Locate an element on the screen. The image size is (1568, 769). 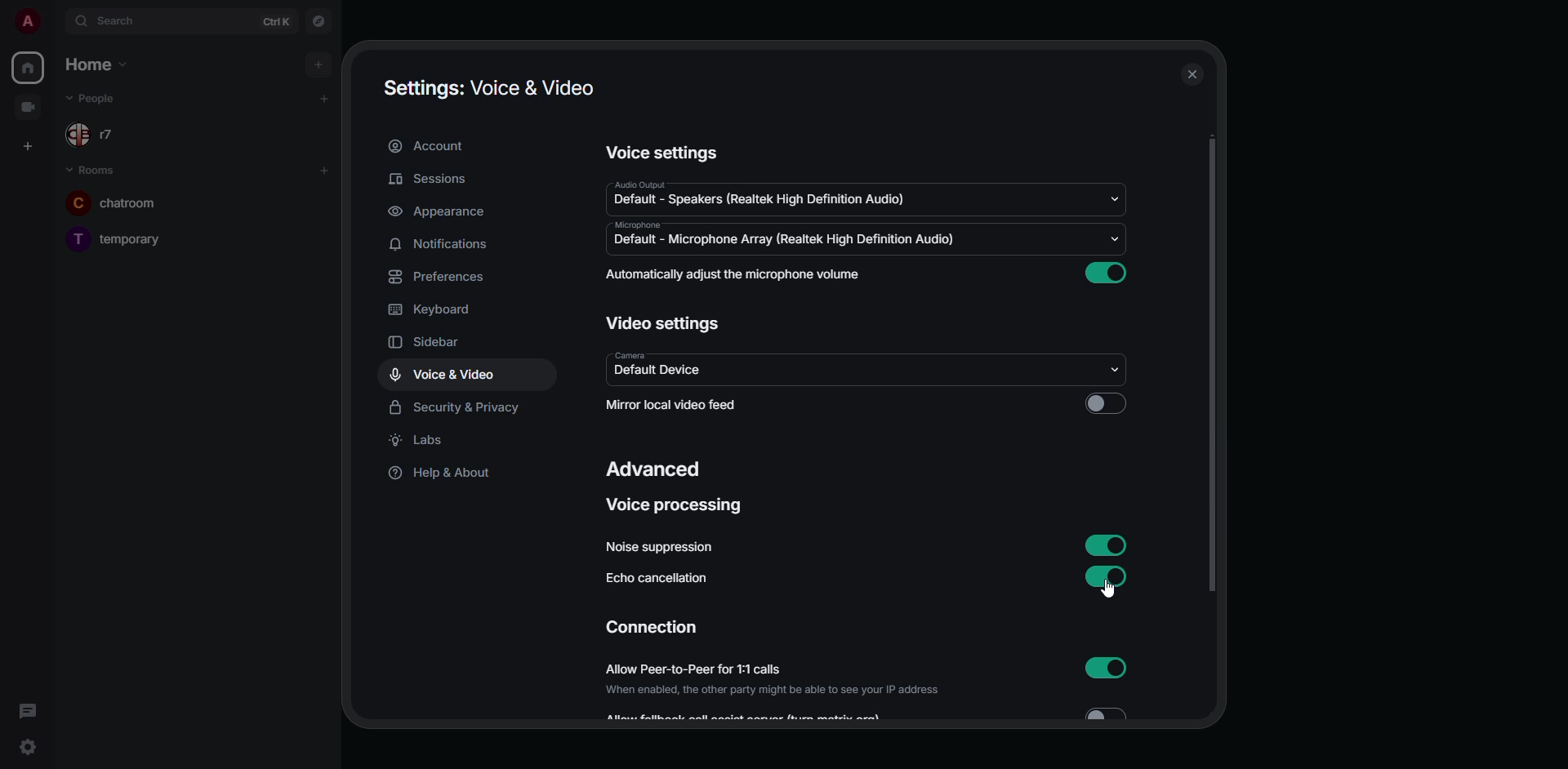
default is located at coordinates (660, 373).